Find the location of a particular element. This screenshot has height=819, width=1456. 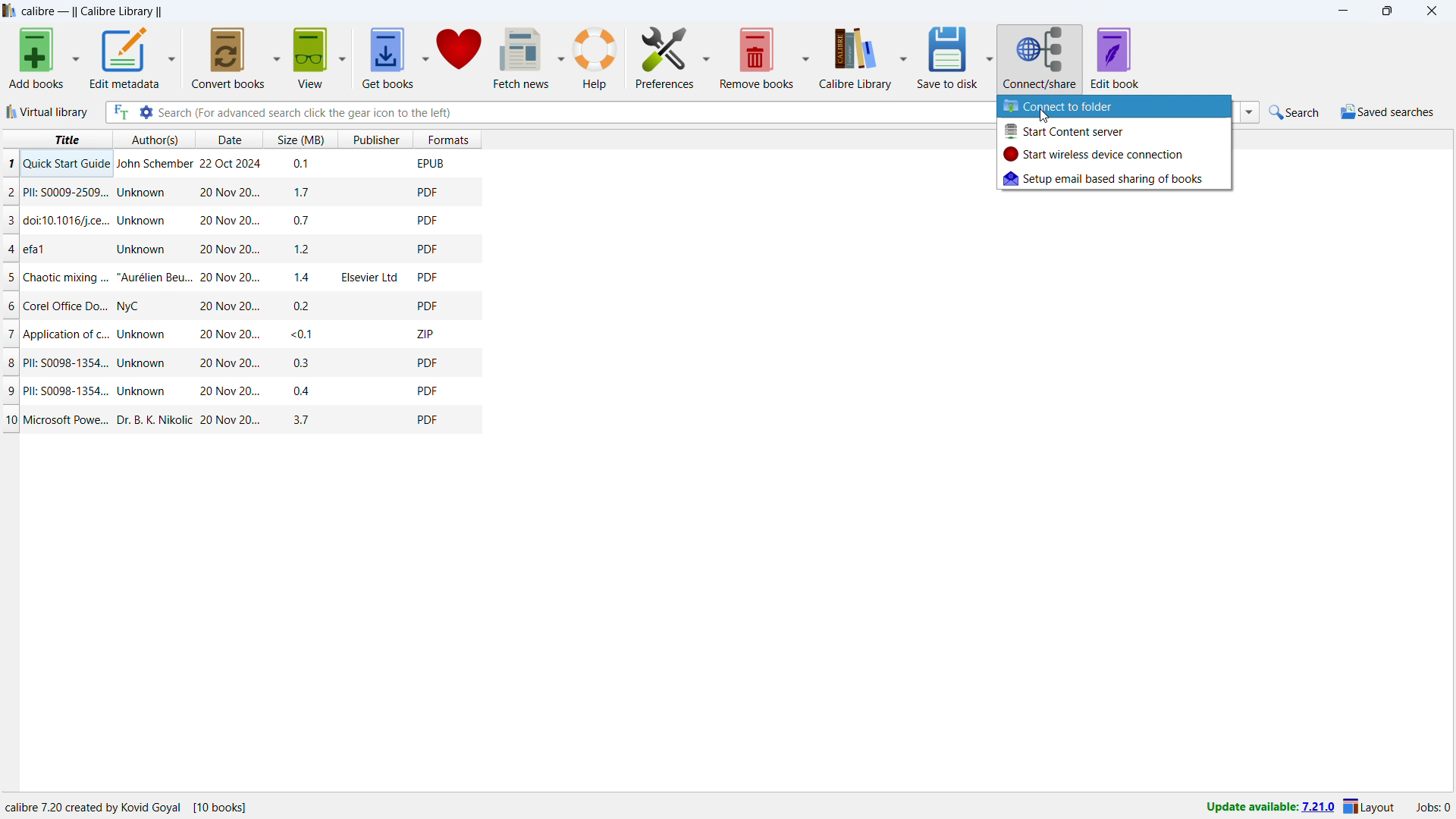

full text search is located at coordinates (119, 111).